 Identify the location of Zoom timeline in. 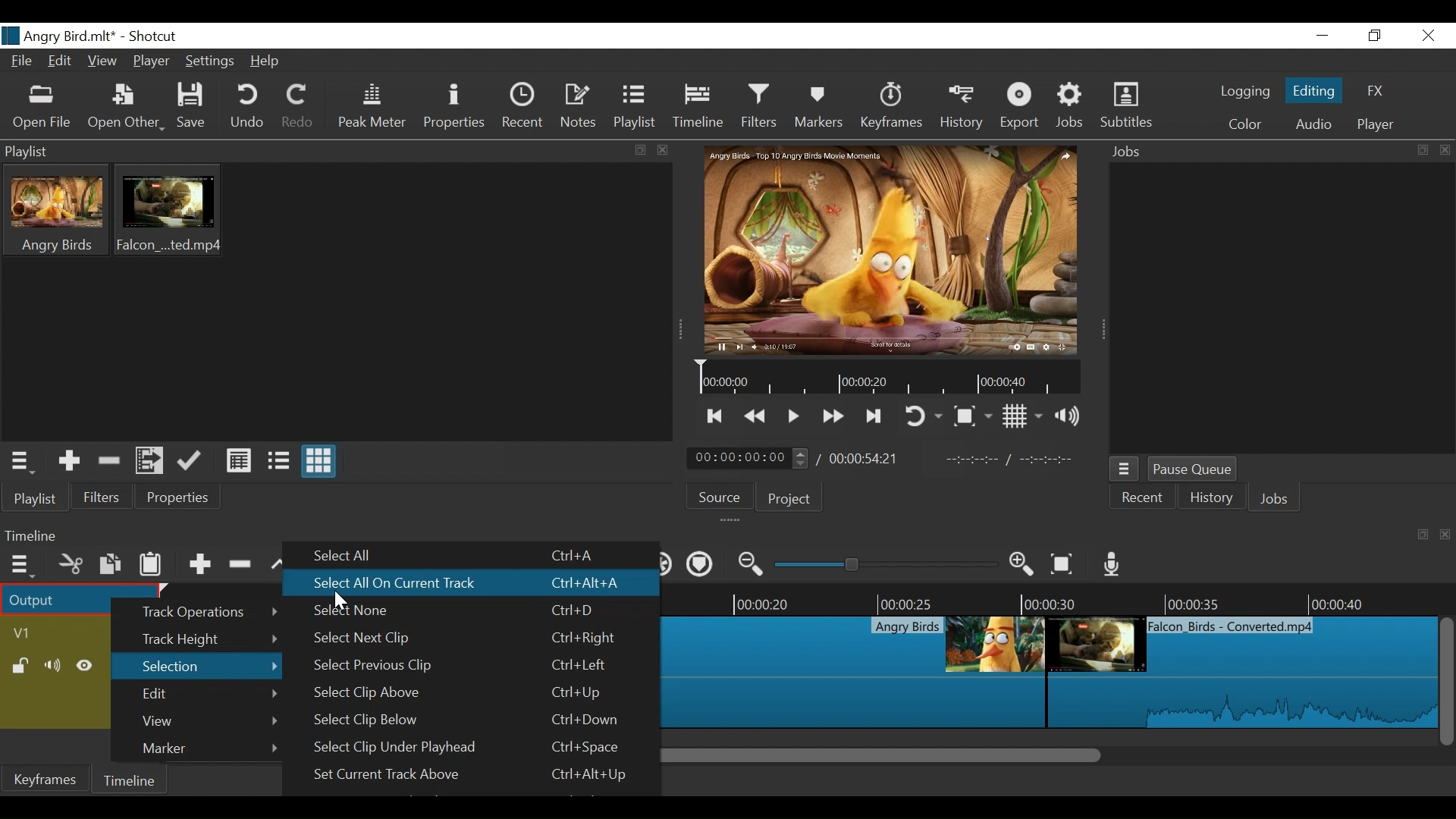
(1022, 565).